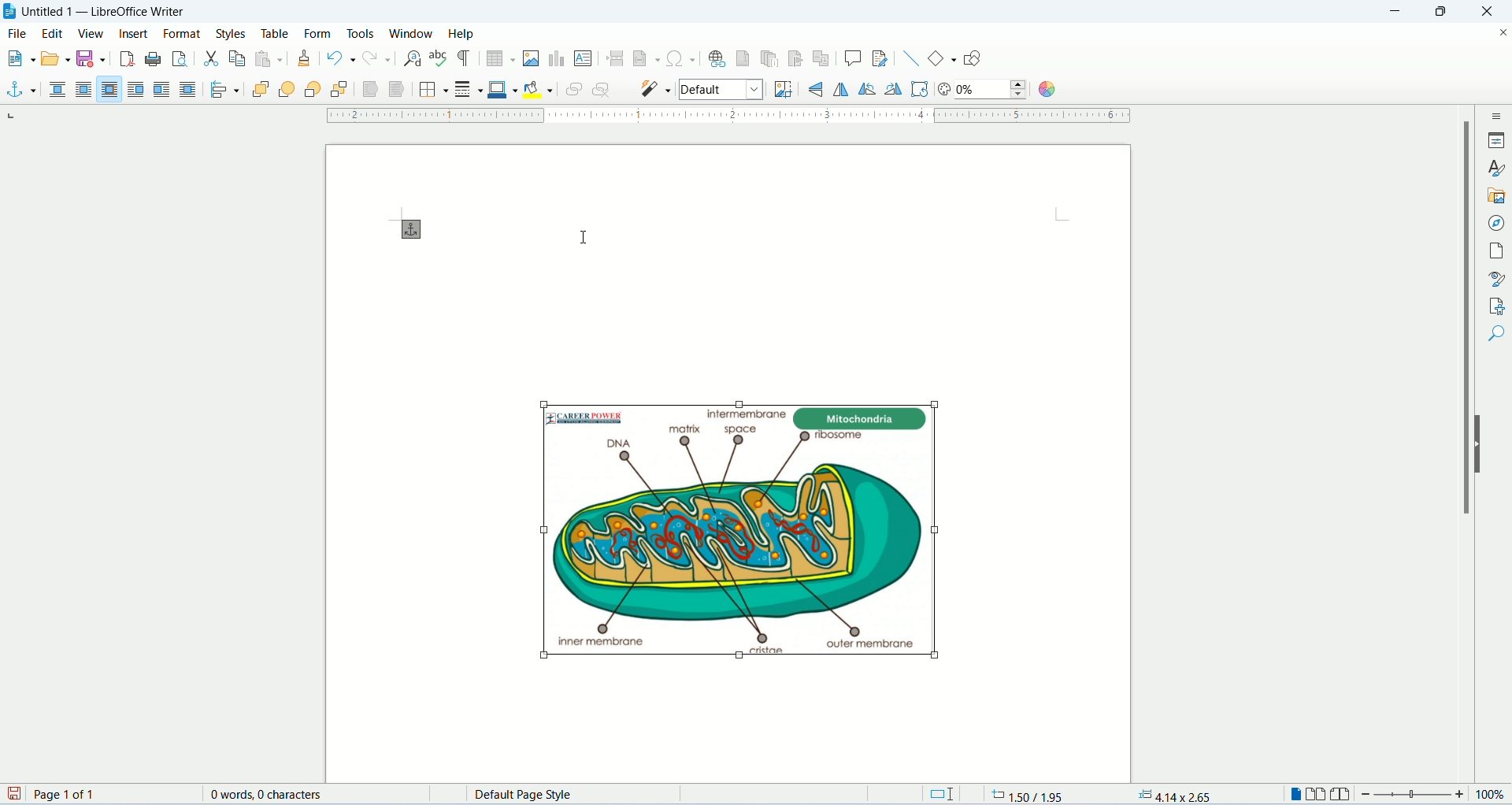 The height and width of the screenshot is (805, 1512). I want to click on forward one, so click(287, 91).